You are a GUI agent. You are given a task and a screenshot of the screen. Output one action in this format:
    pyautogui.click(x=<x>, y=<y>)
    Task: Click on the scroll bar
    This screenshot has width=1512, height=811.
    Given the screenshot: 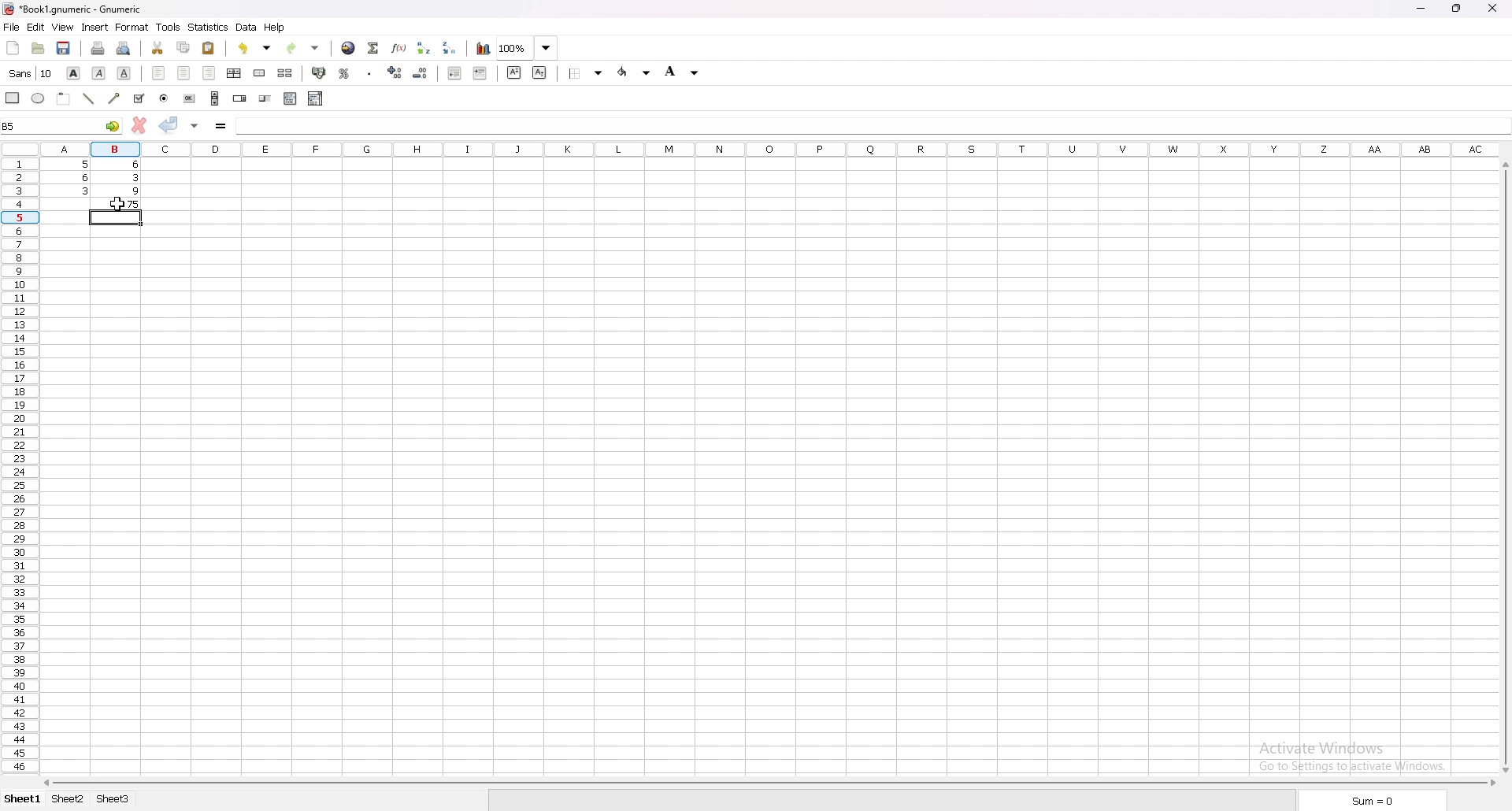 What is the action you would take?
    pyautogui.click(x=1509, y=465)
    